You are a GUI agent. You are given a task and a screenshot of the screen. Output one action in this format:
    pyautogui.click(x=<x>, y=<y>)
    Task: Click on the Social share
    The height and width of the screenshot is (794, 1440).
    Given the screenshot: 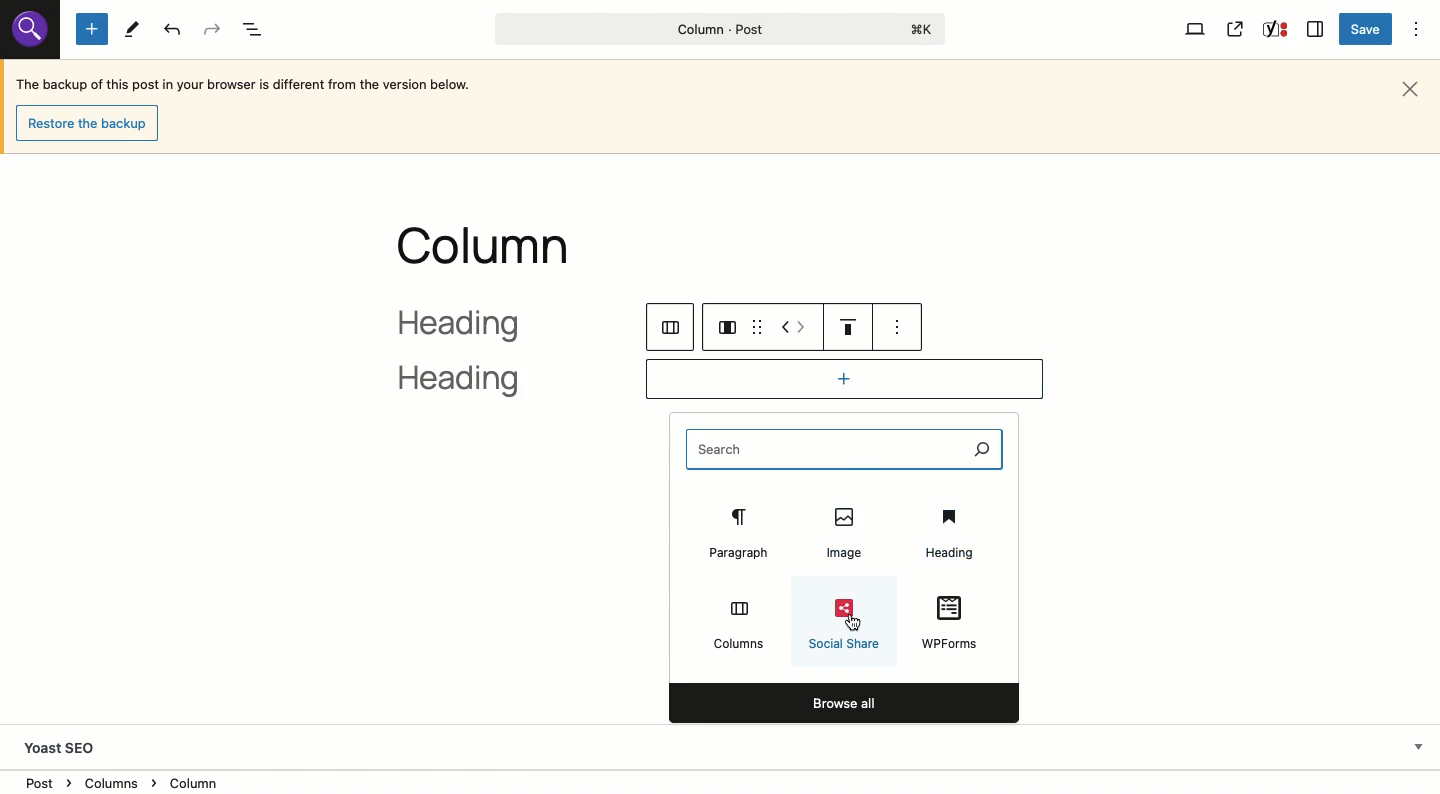 What is the action you would take?
    pyautogui.click(x=840, y=620)
    